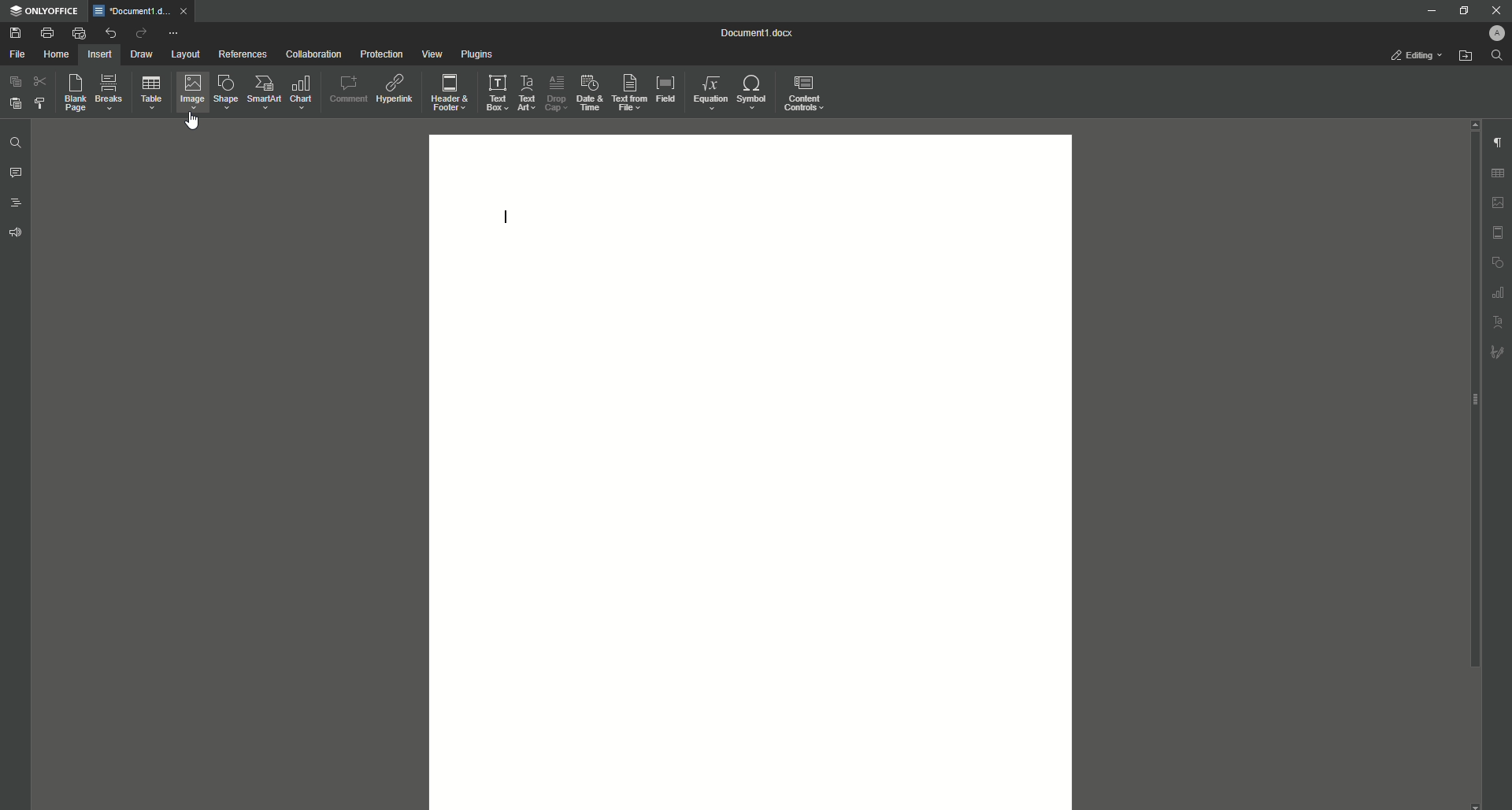 This screenshot has width=1512, height=810. I want to click on Find, so click(16, 143).